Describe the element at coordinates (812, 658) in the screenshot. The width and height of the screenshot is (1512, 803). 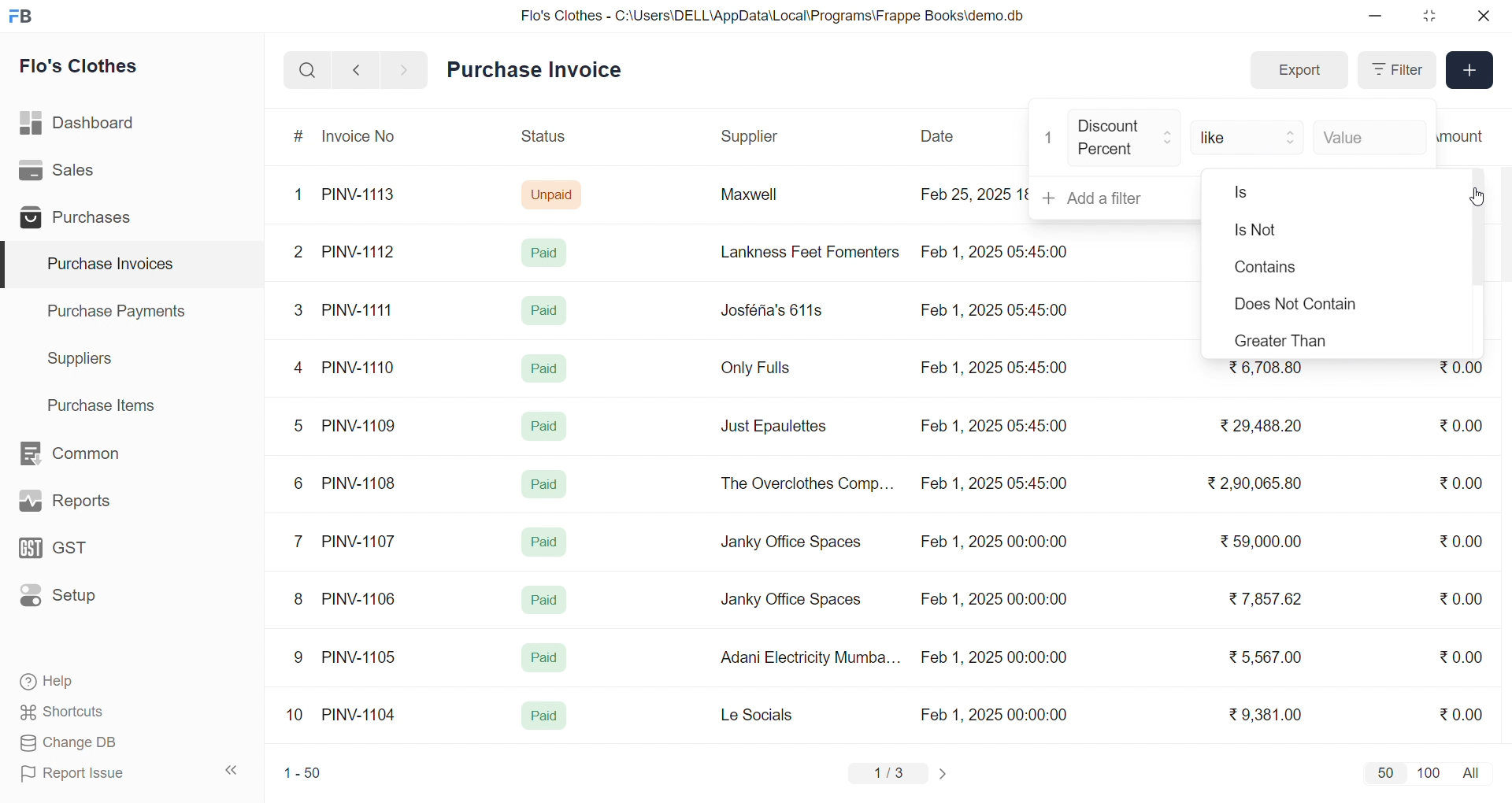
I see `Adani Electricity Mumba...` at that location.